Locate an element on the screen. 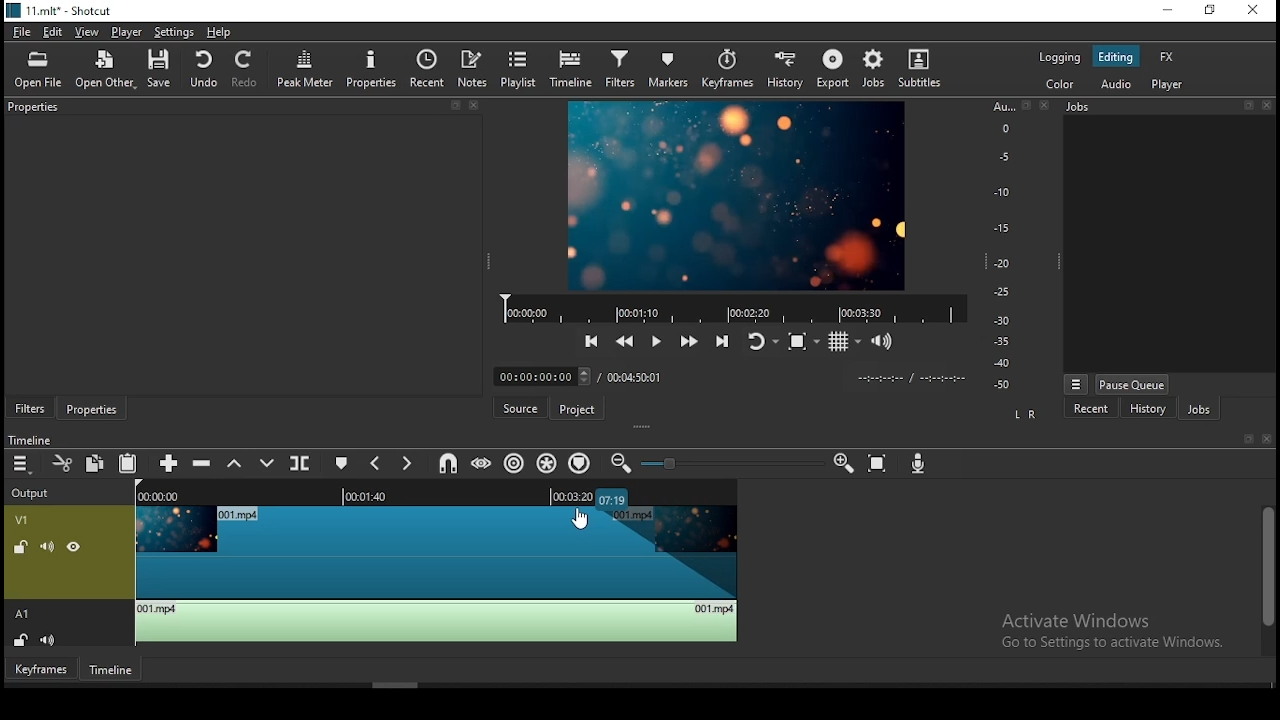 The width and height of the screenshot is (1280, 720). view is located at coordinates (90, 32).